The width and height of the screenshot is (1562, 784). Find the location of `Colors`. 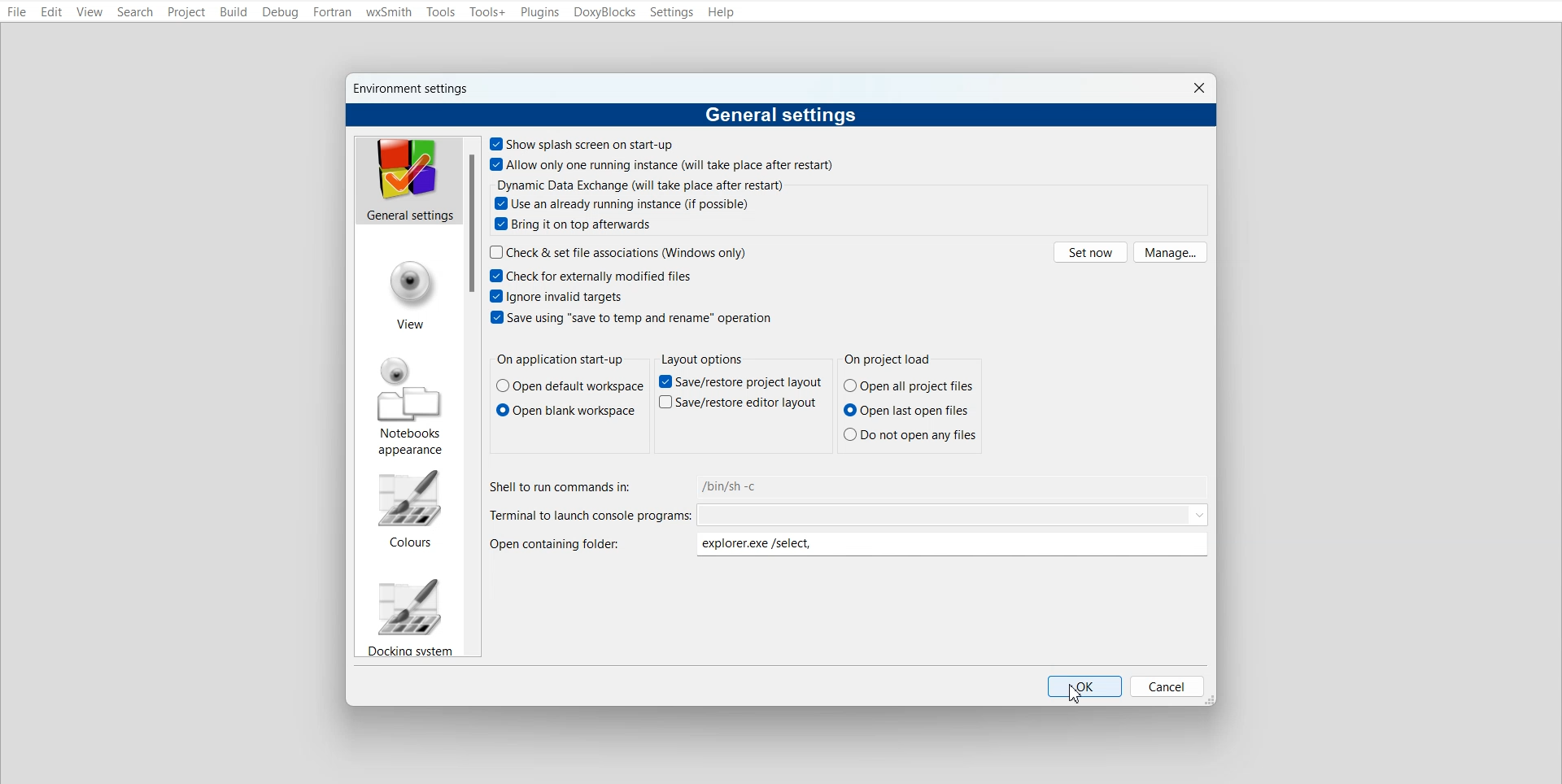

Colors is located at coordinates (408, 508).